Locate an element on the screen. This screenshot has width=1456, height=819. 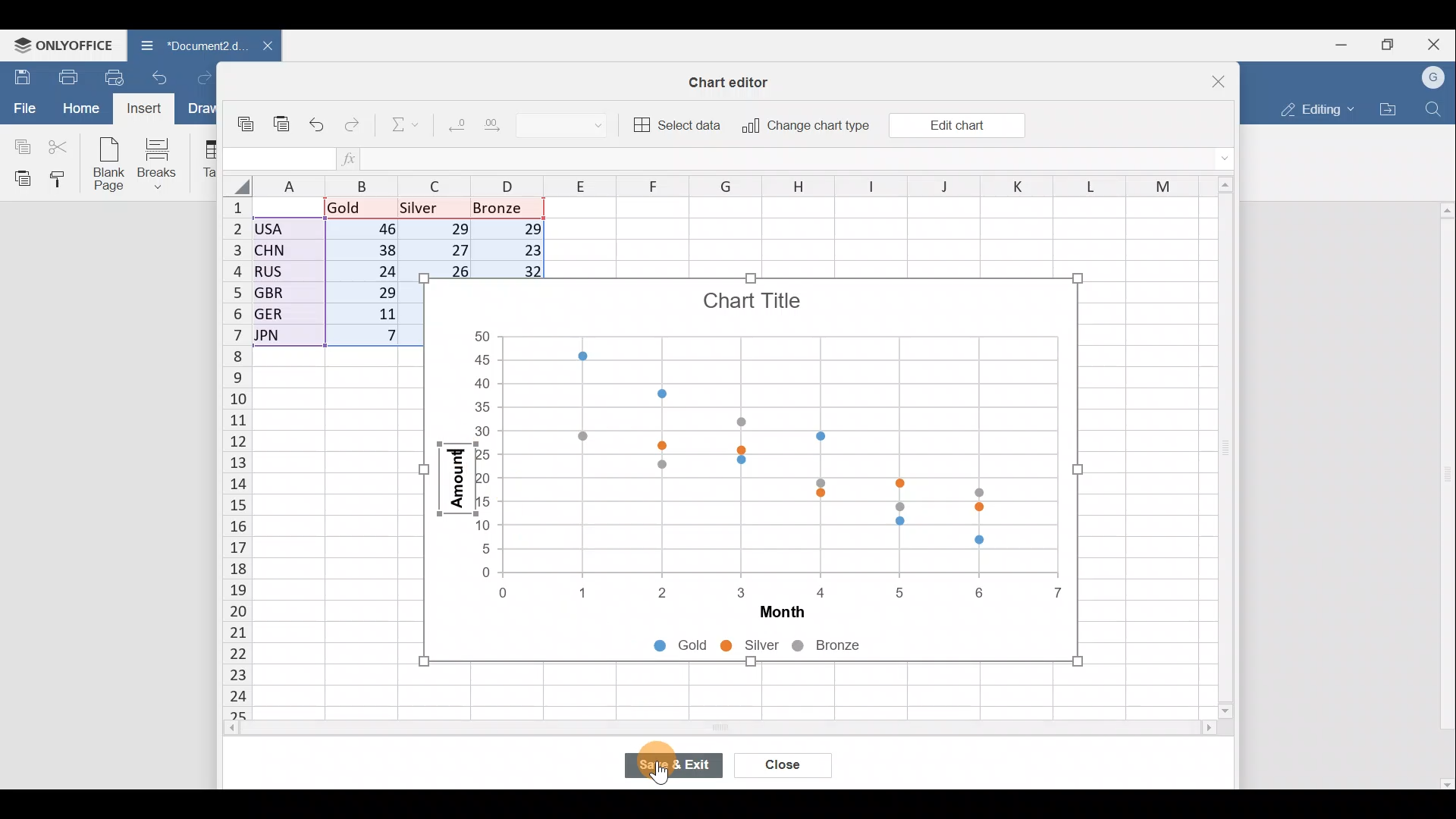
ONLYOFFICE Menu is located at coordinates (62, 44).